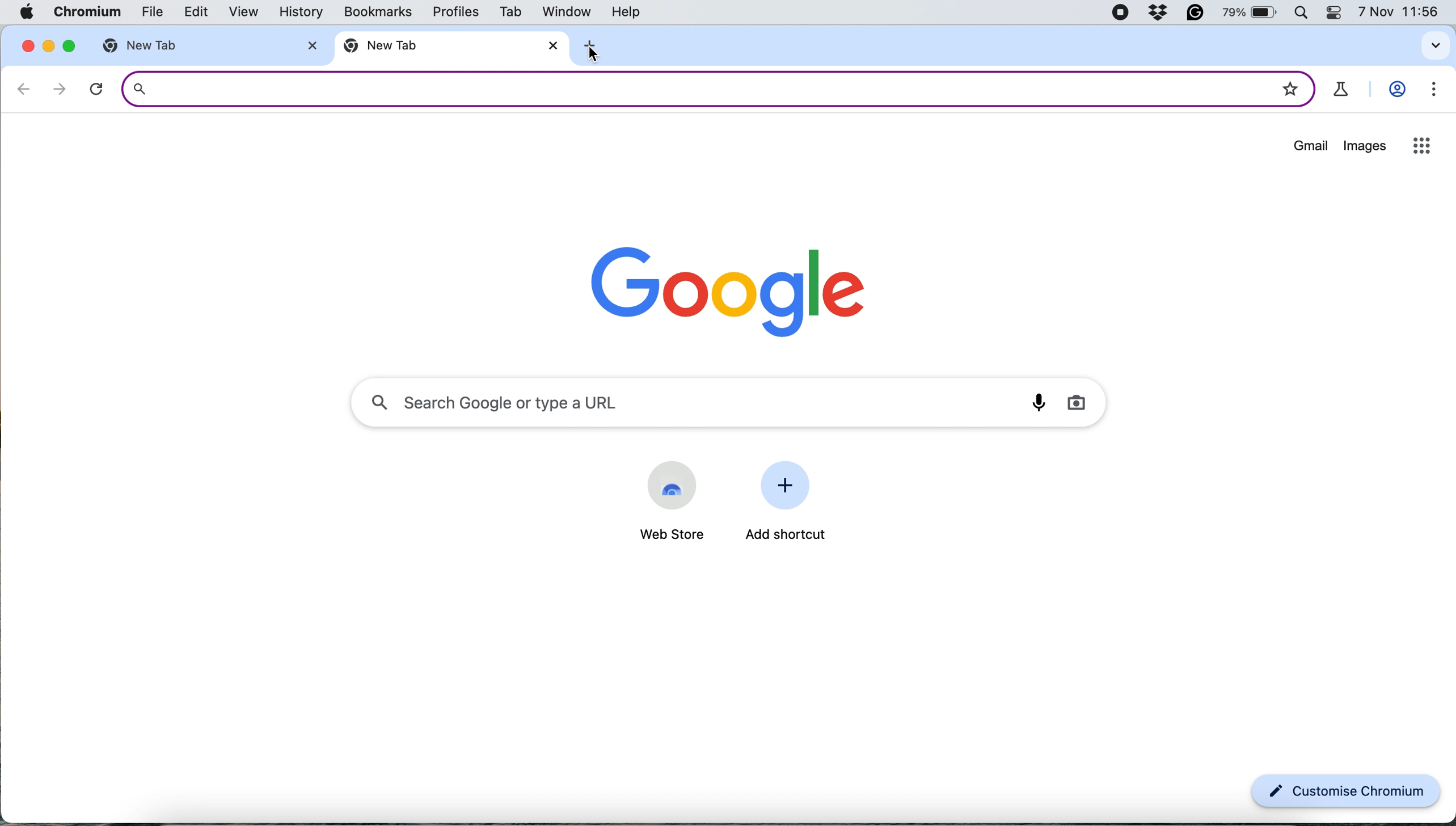  Describe the element at coordinates (1347, 792) in the screenshot. I see `customise chromium` at that location.